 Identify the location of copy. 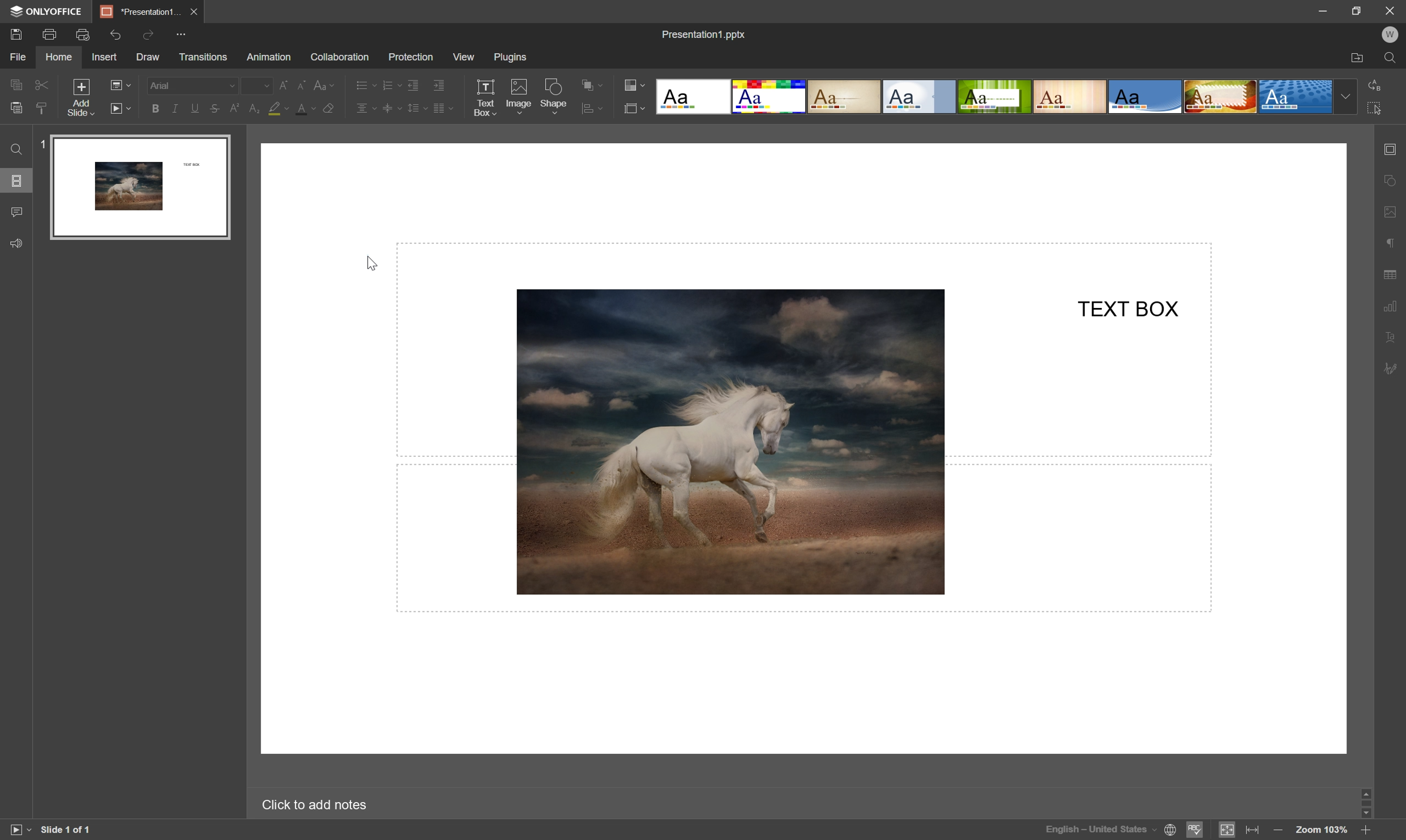
(16, 84).